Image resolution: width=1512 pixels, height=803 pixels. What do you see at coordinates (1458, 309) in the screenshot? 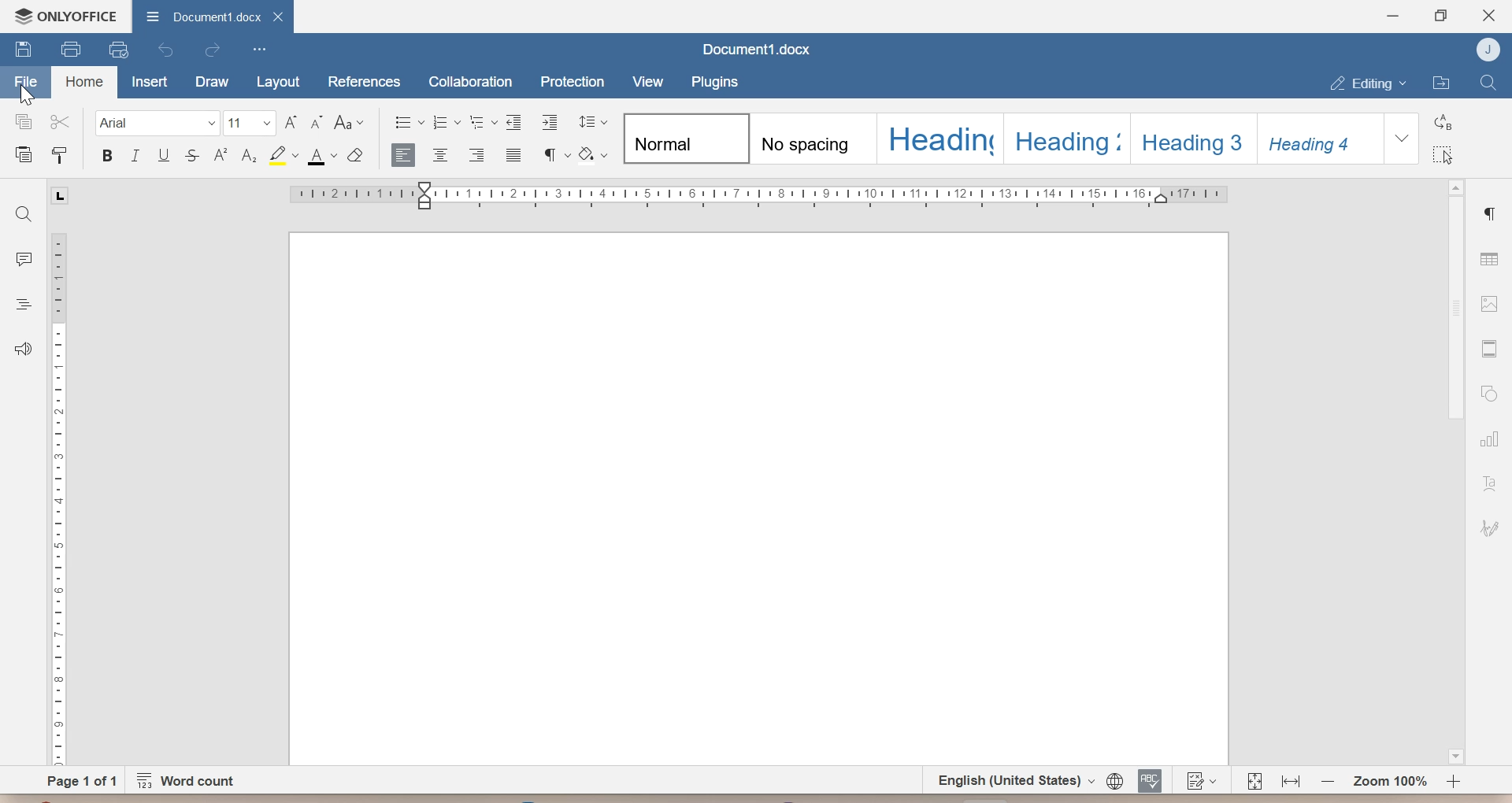
I see `Scrollbar` at bounding box center [1458, 309].